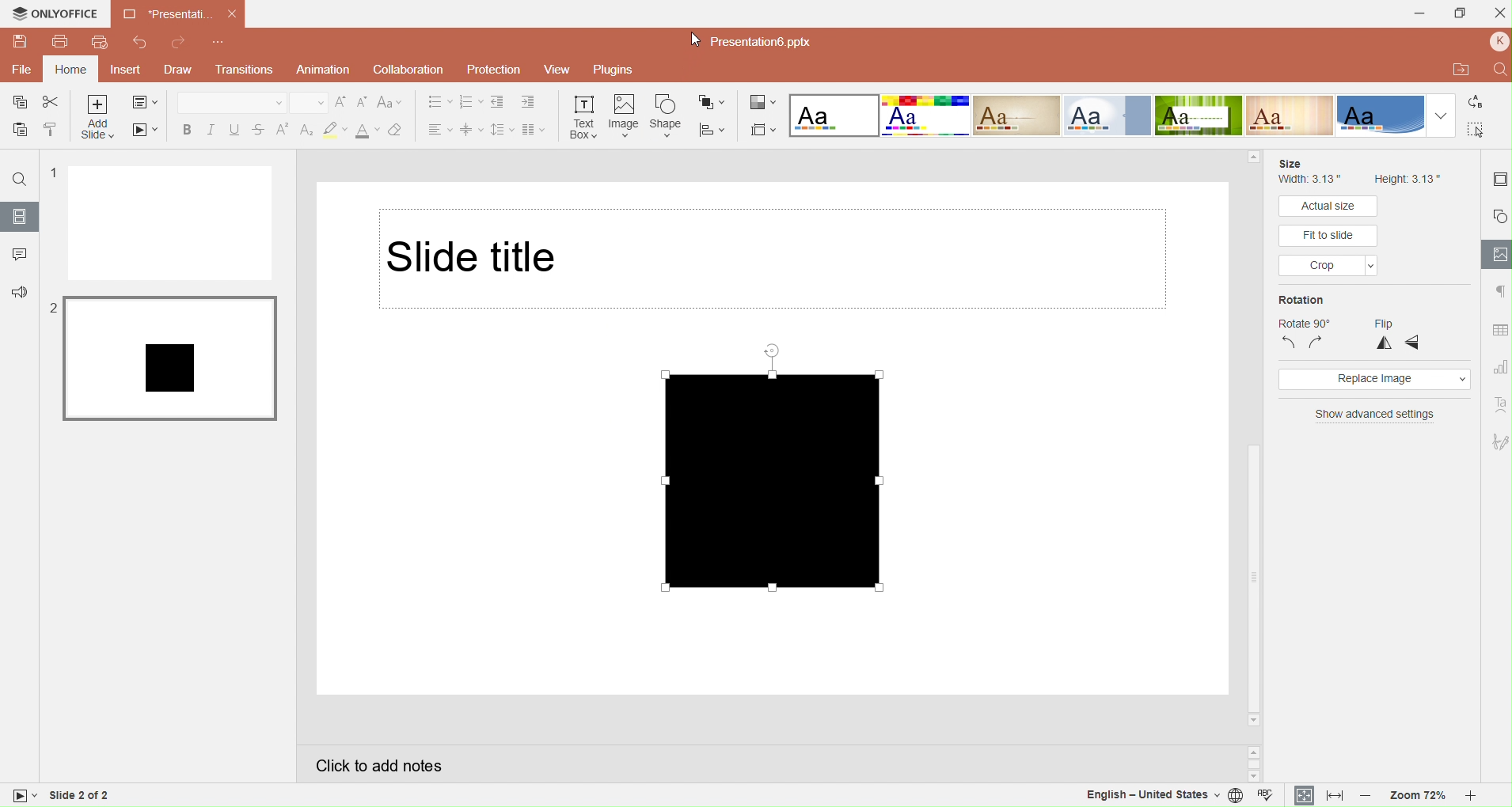 The height and width of the screenshot is (807, 1512). I want to click on Slide settings, so click(1497, 180).